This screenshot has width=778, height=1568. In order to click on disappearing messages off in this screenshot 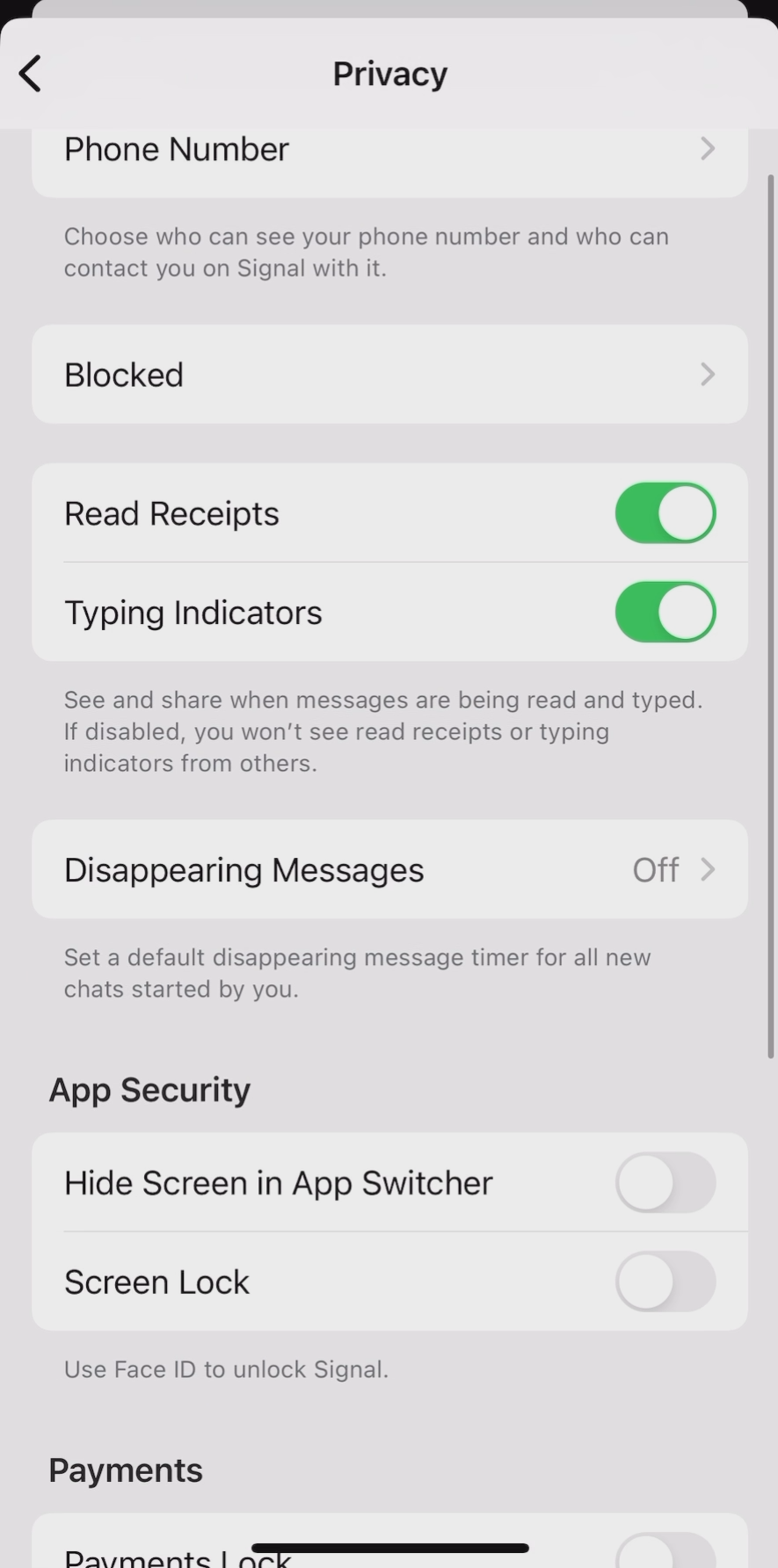, I will do `click(388, 866)`.